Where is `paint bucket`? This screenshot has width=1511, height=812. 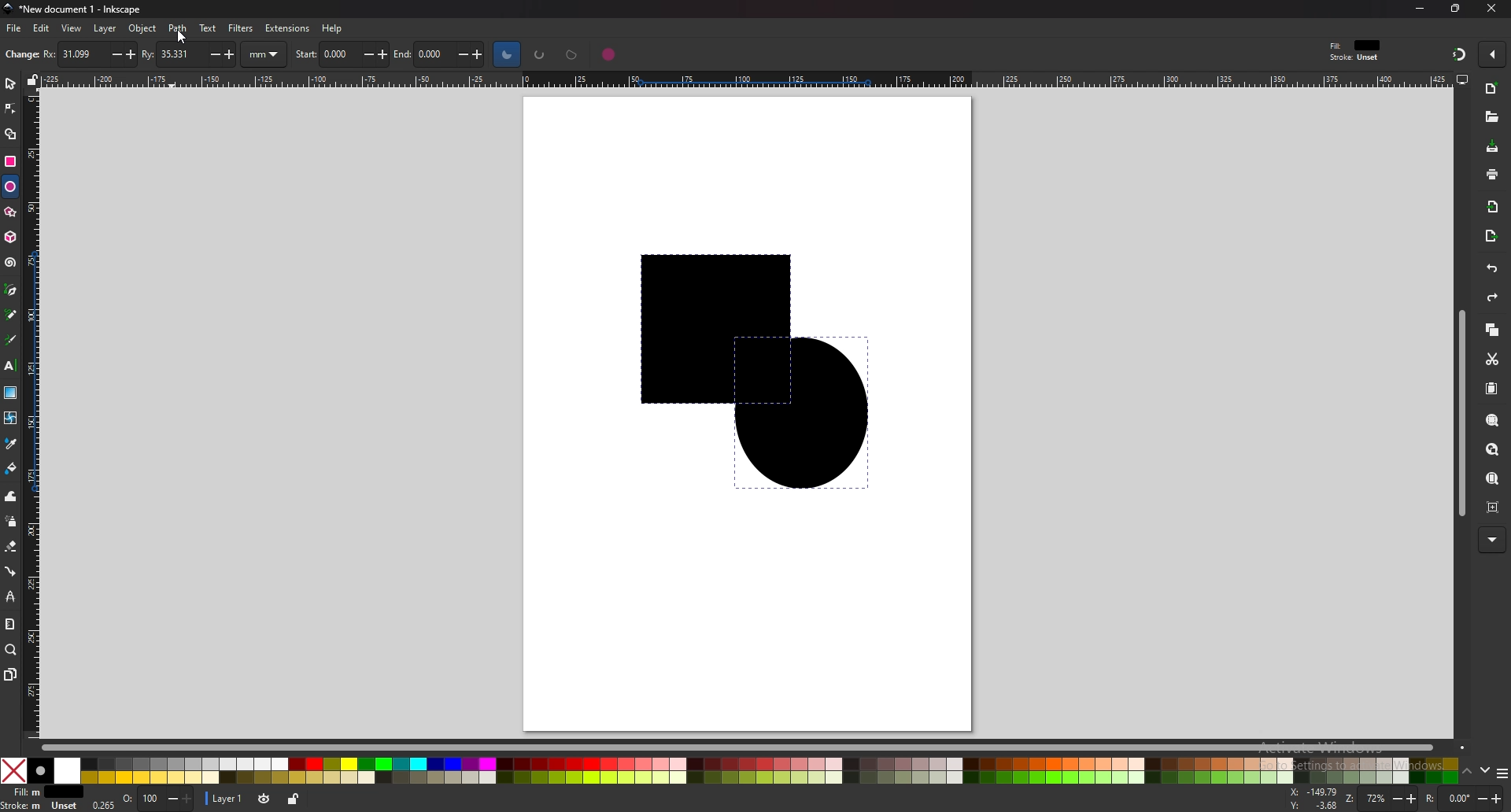 paint bucket is located at coordinates (12, 469).